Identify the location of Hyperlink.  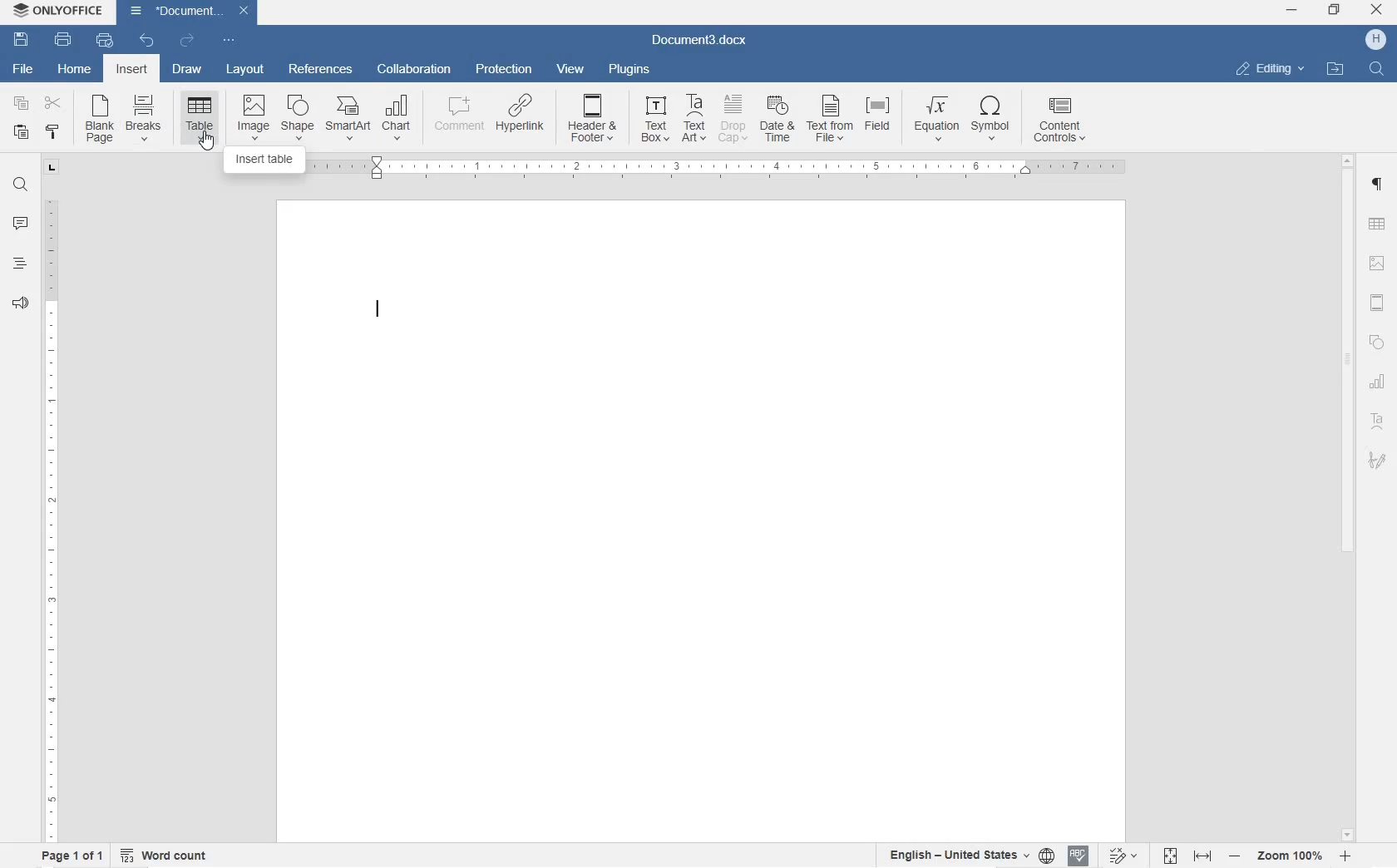
(519, 119).